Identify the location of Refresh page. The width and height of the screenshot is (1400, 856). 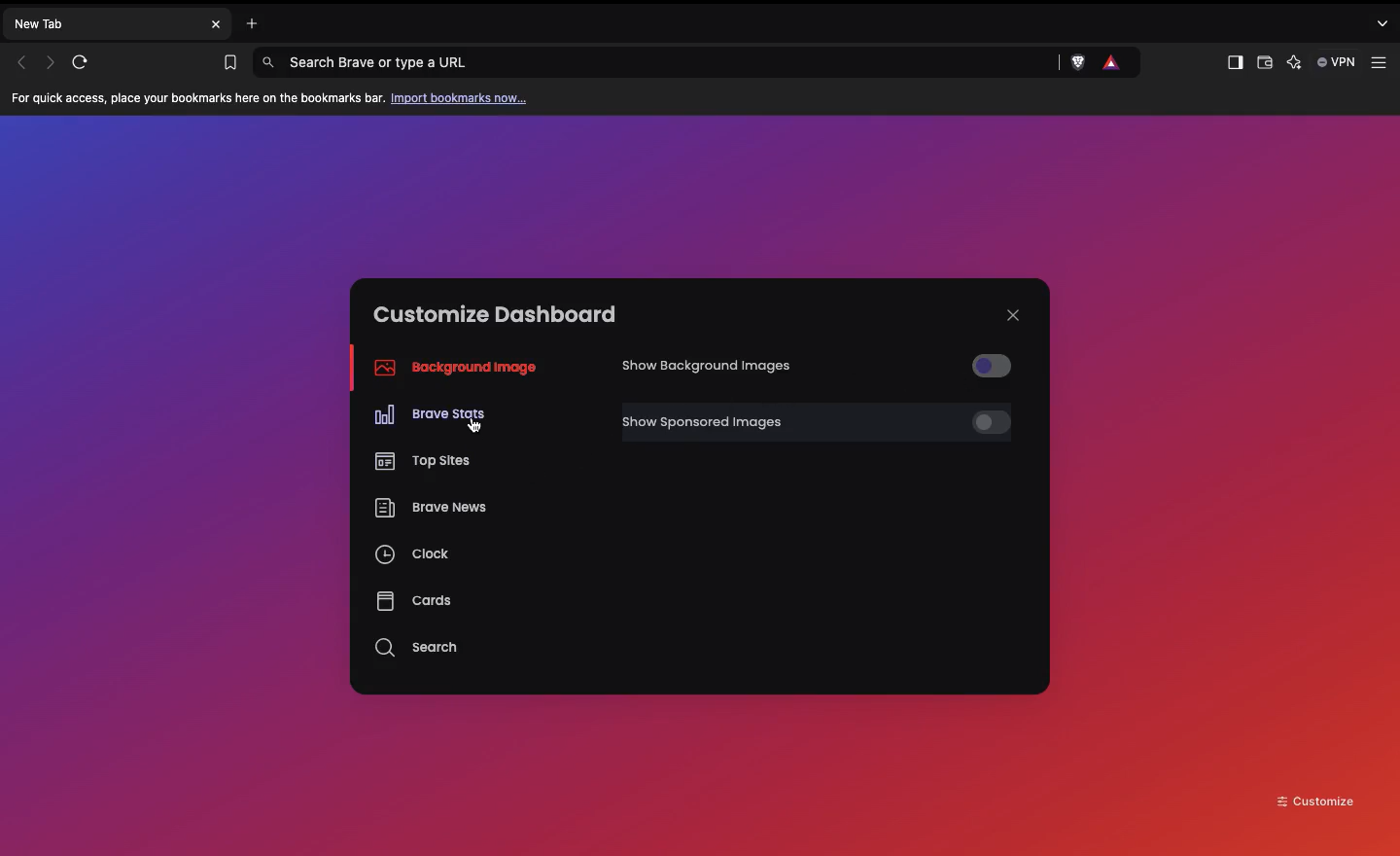
(87, 62).